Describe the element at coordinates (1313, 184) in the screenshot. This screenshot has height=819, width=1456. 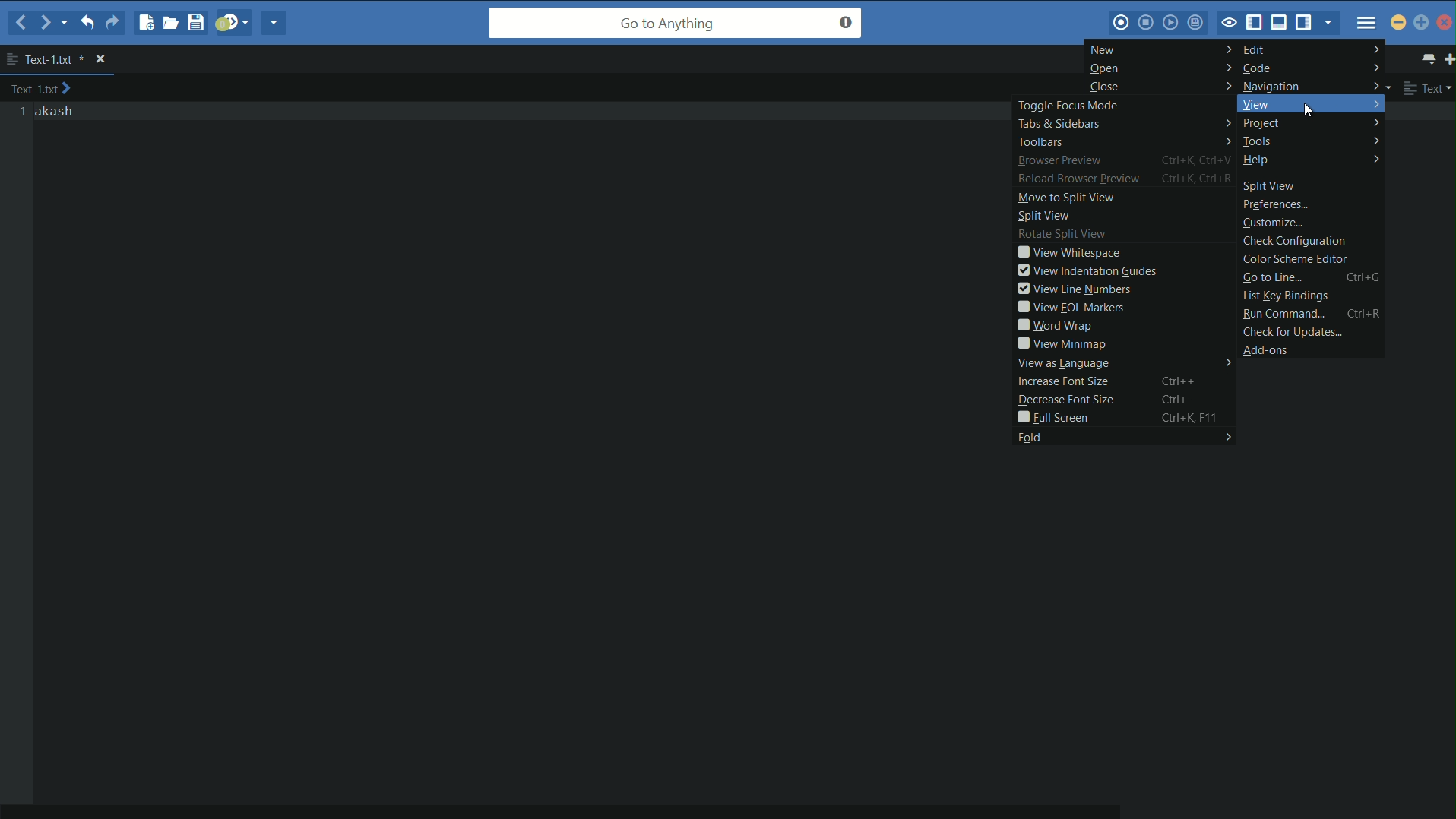
I see `split view` at that location.